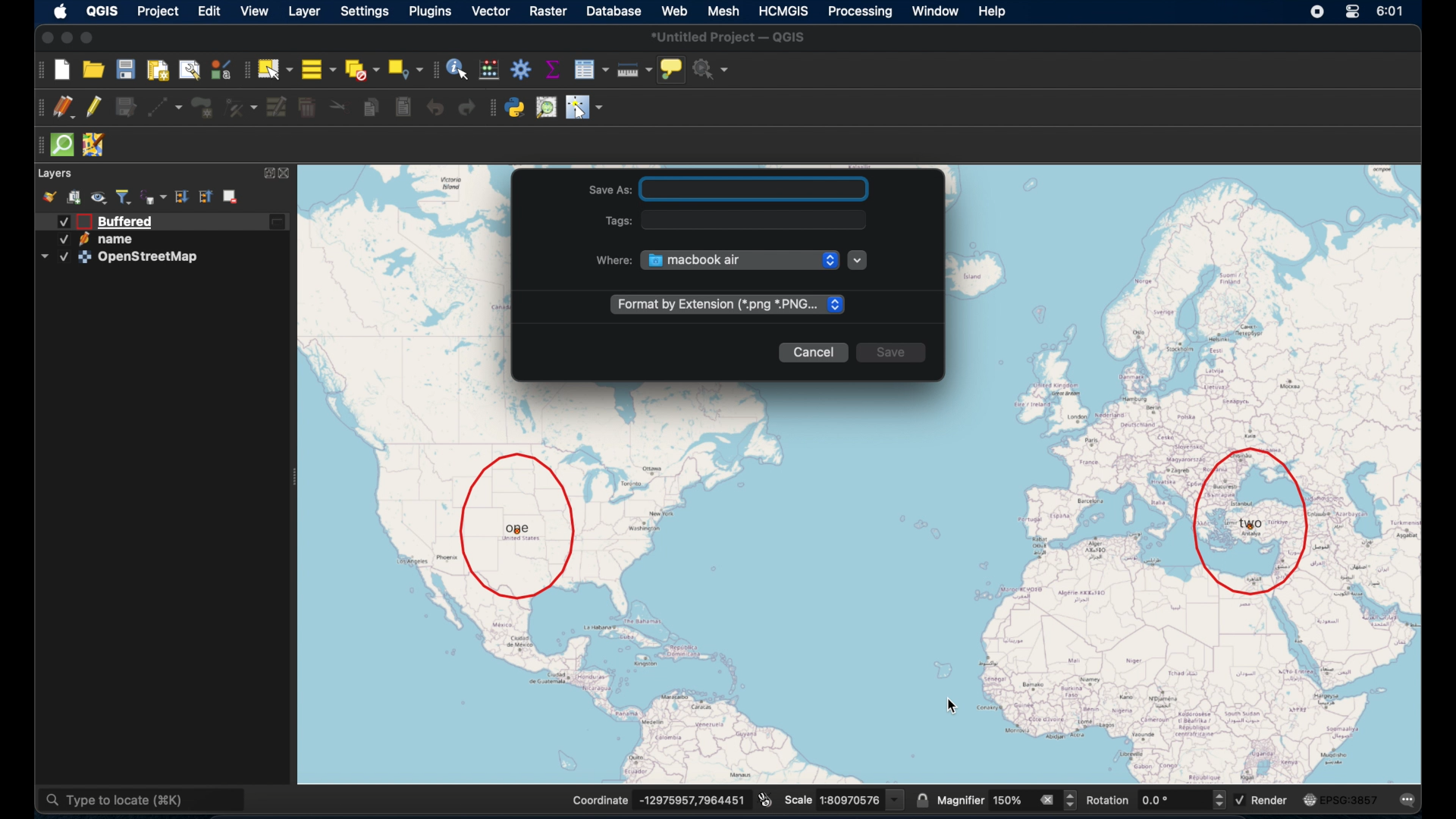 The width and height of the screenshot is (1456, 819). I want to click on icon, so click(1309, 800).